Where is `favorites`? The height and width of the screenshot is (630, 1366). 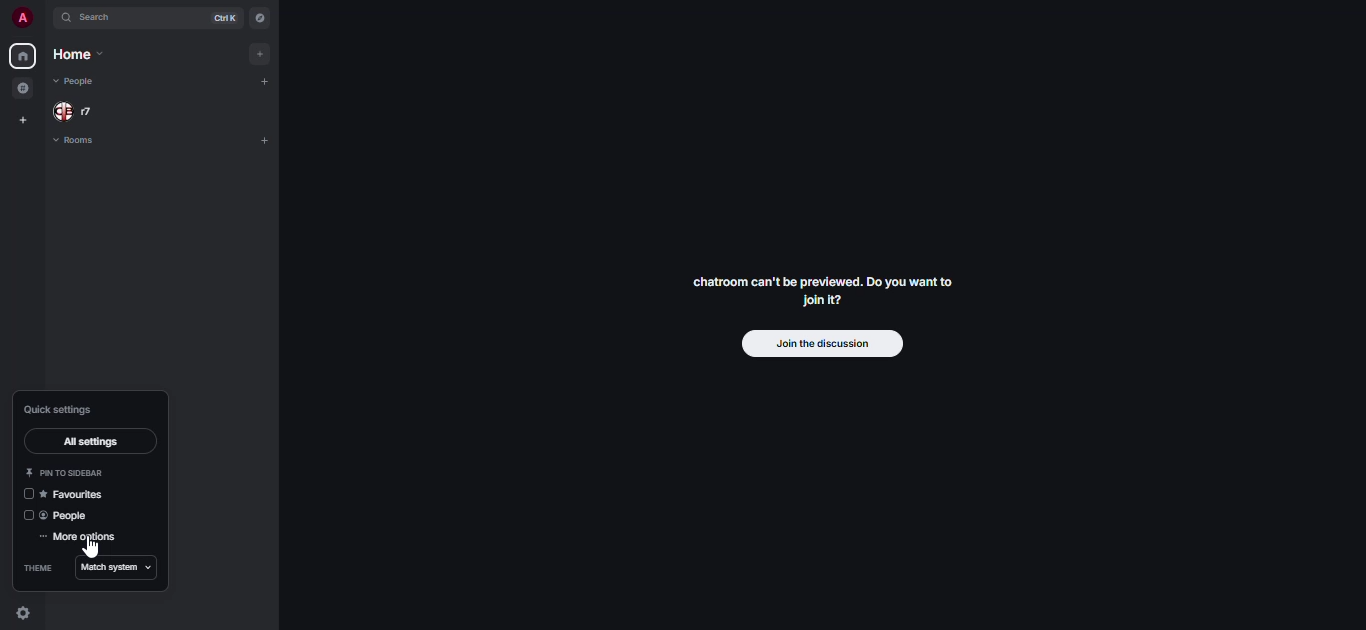 favorites is located at coordinates (80, 494).